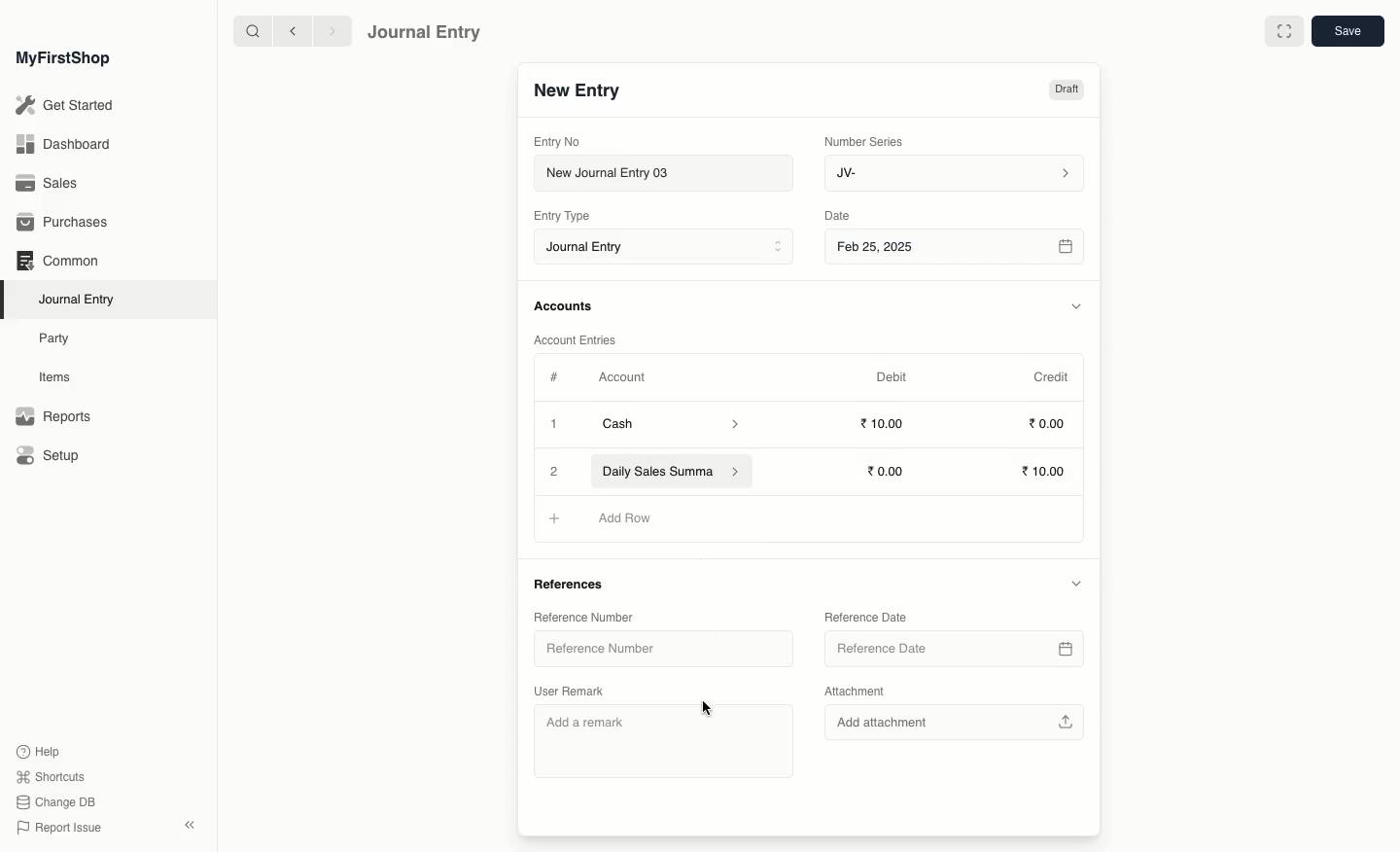  Describe the element at coordinates (556, 426) in the screenshot. I see `1` at that location.